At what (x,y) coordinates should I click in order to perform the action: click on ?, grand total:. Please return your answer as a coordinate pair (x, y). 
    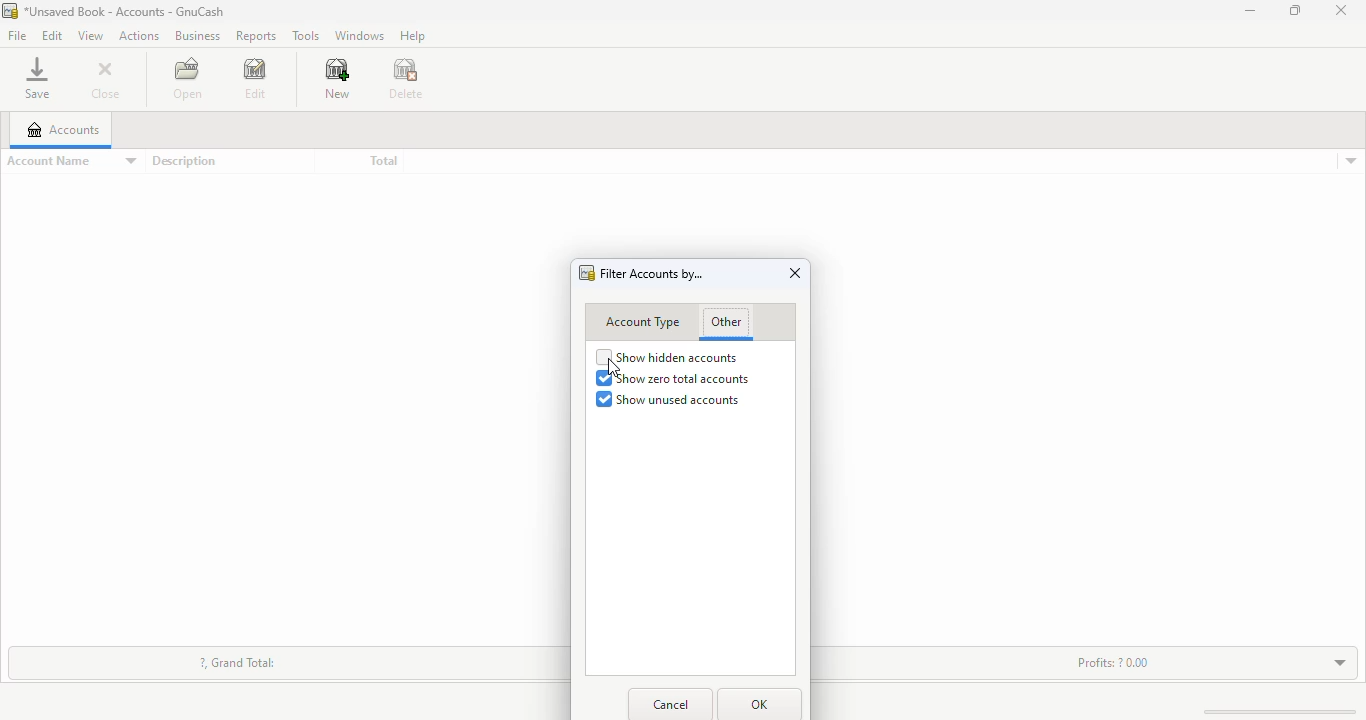
    Looking at the image, I should click on (238, 662).